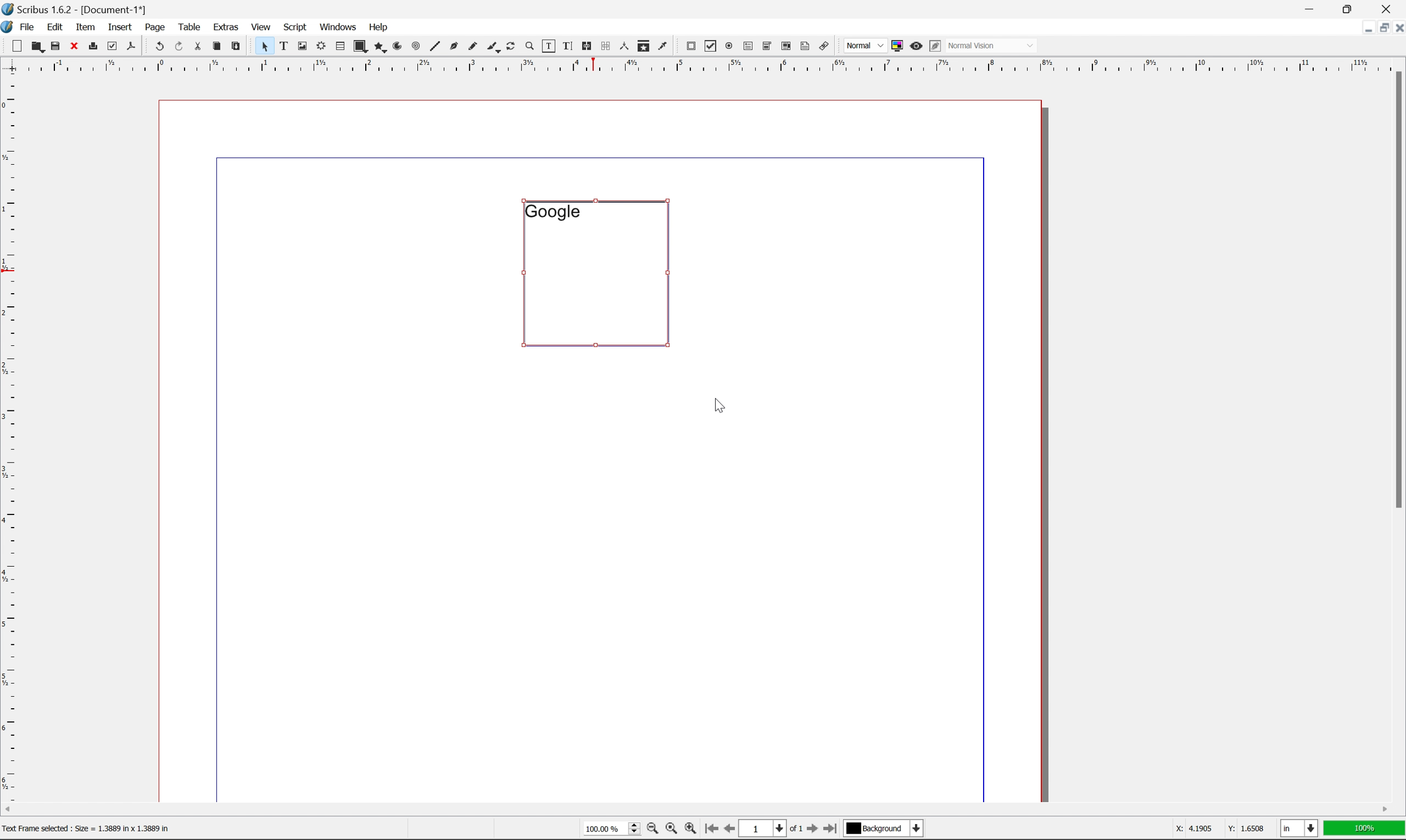 The image size is (1406, 840). Describe the element at coordinates (864, 45) in the screenshot. I see `normal` at that location.